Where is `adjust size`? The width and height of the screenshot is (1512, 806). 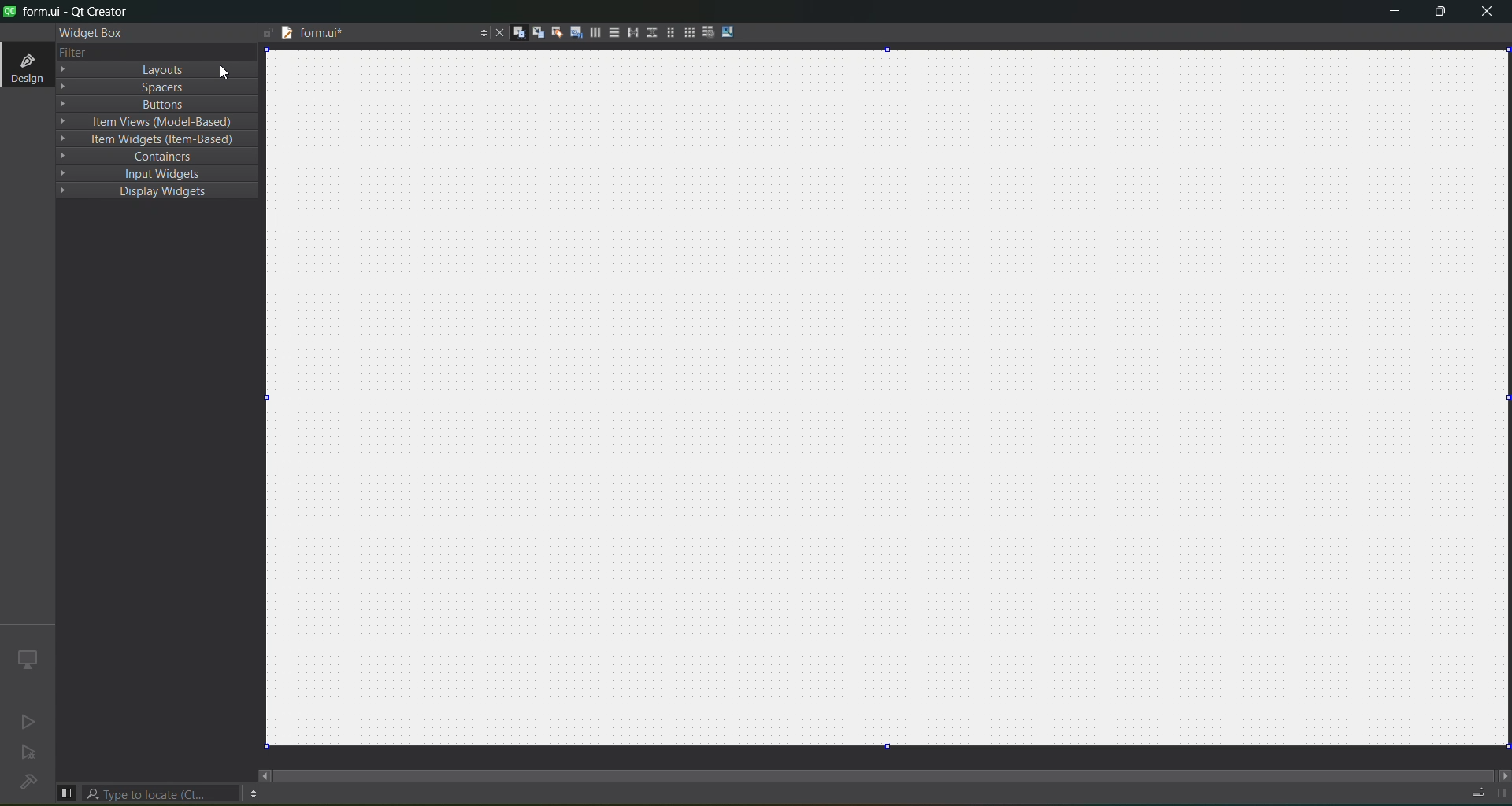
adjust size is located at coordinates (730, 31).